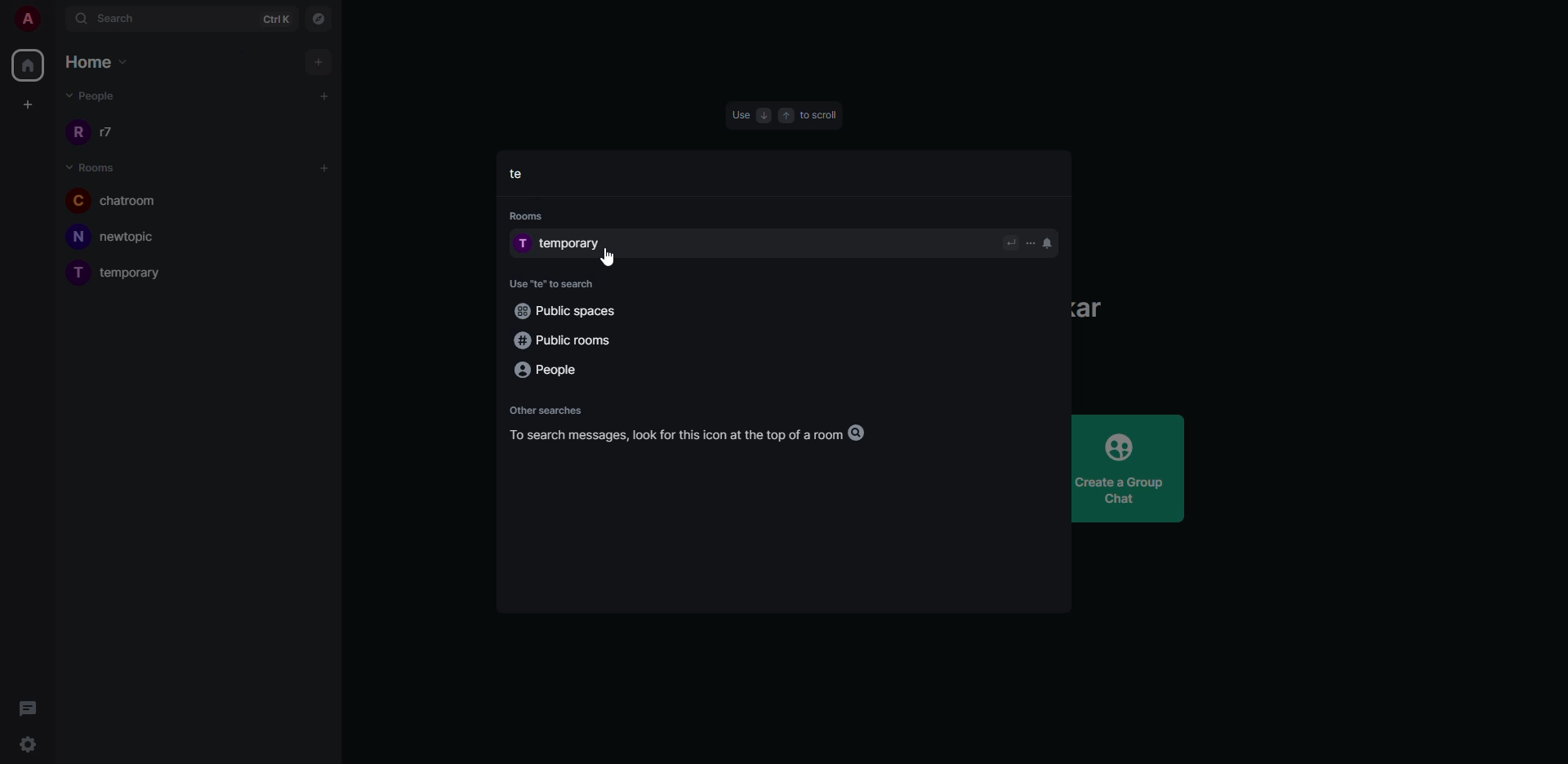 This screenshot has width=1568, height=764. Describe the element at coordinates (122, 238) in the screenshot. I see `room` at that location.